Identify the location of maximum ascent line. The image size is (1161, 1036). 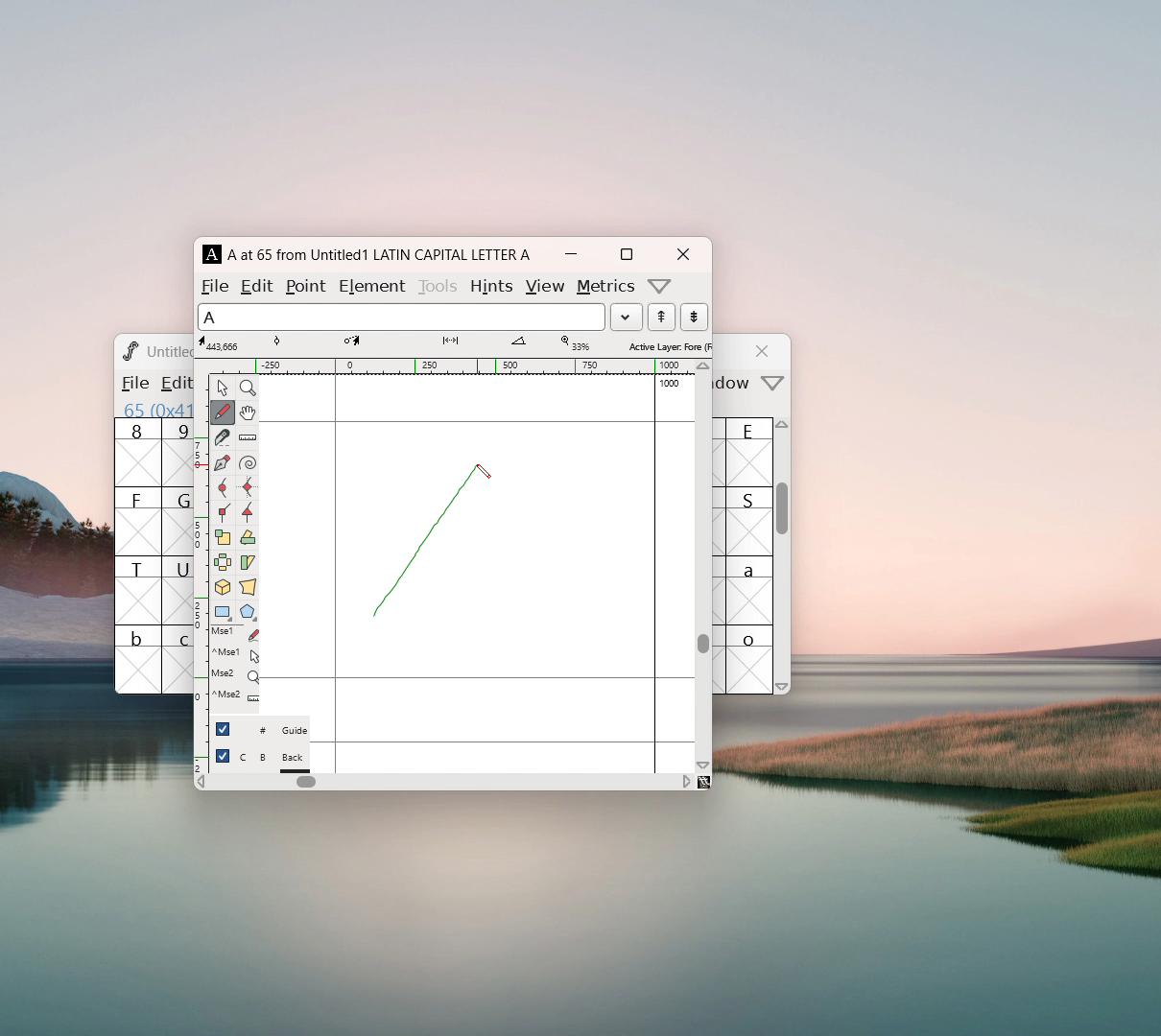
(477, 422).